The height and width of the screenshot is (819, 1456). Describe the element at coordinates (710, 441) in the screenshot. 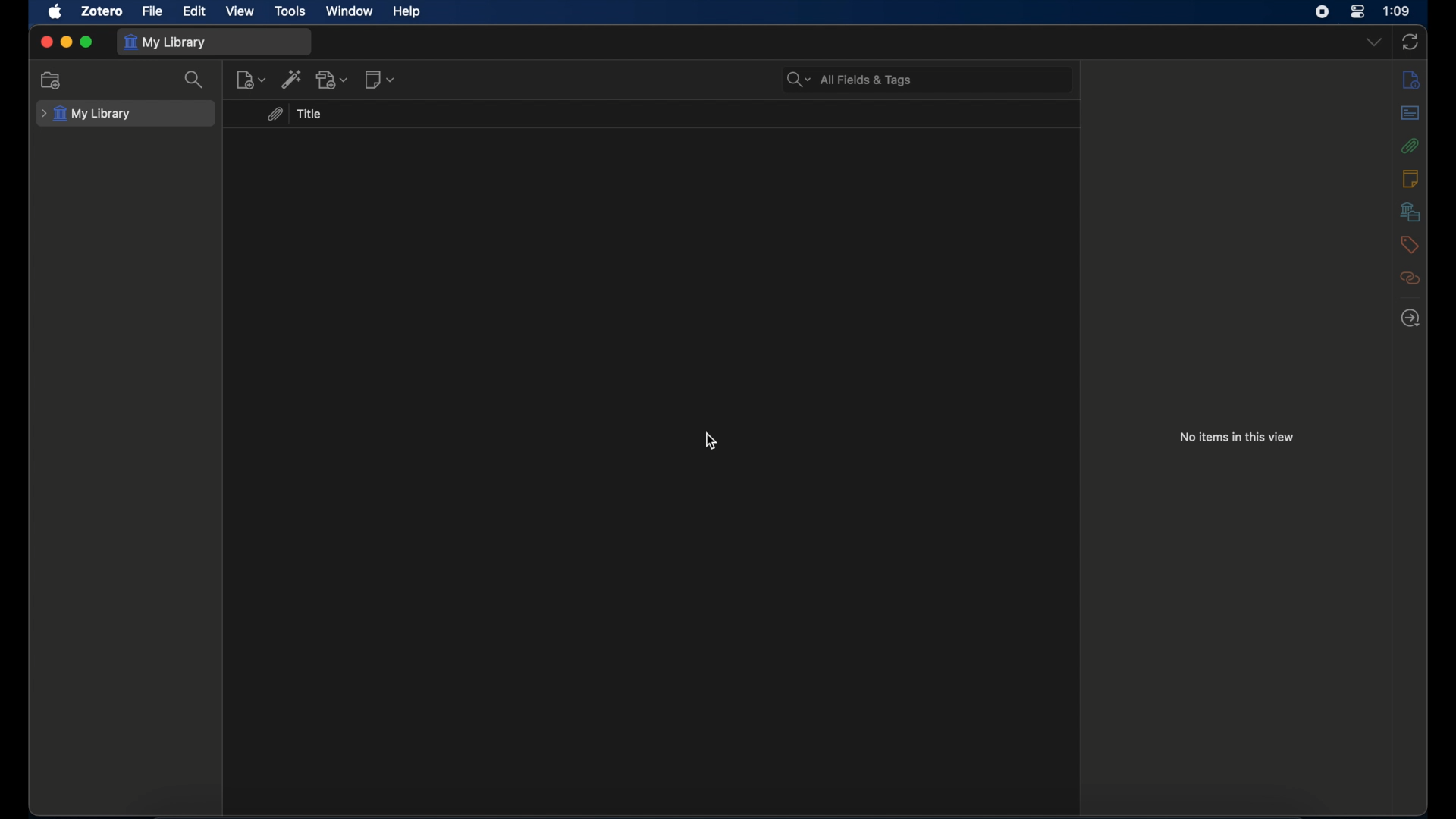

I see `cursor` at that location.